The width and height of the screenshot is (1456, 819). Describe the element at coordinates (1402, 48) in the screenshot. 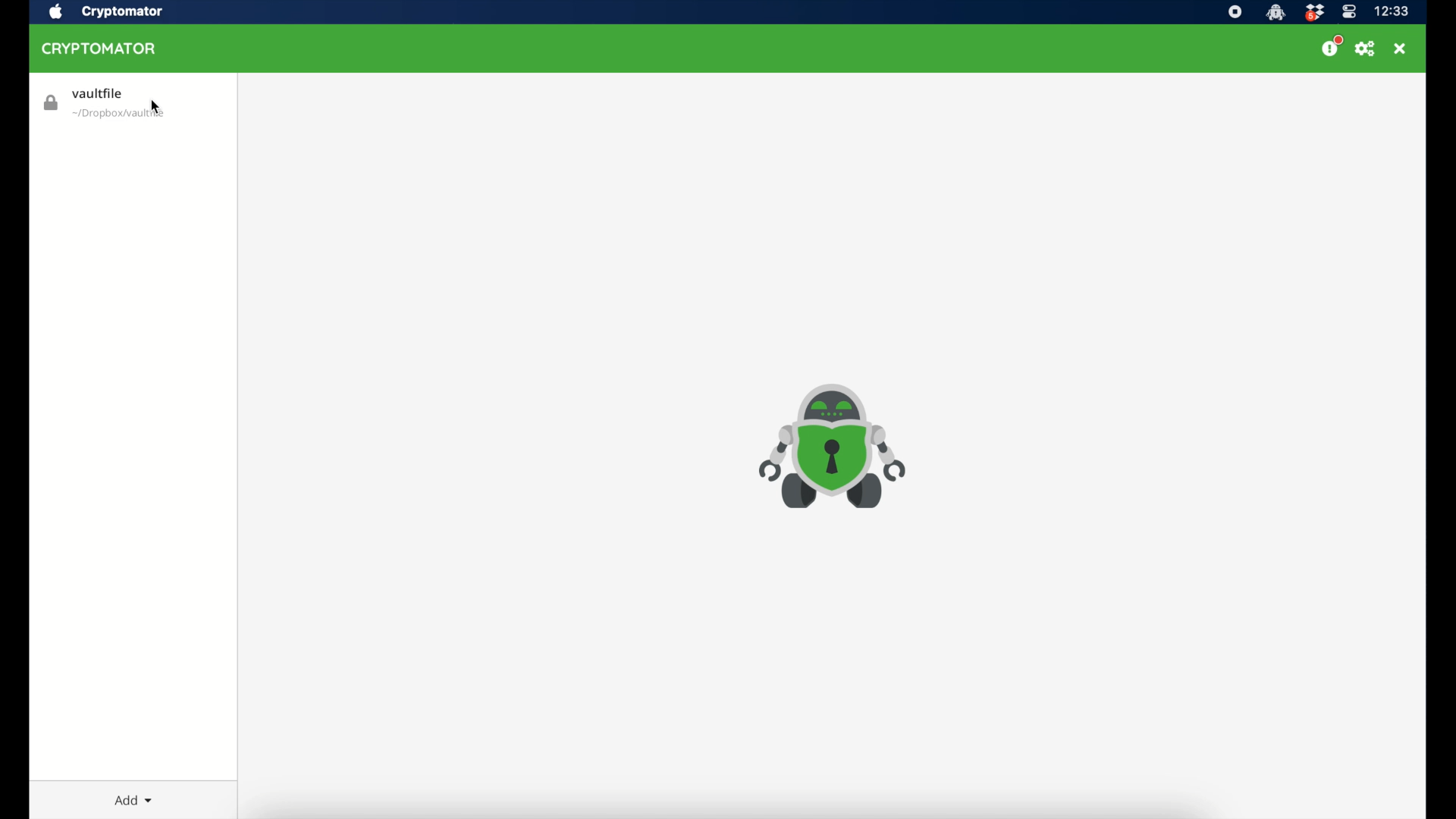

I see `close` at that location.